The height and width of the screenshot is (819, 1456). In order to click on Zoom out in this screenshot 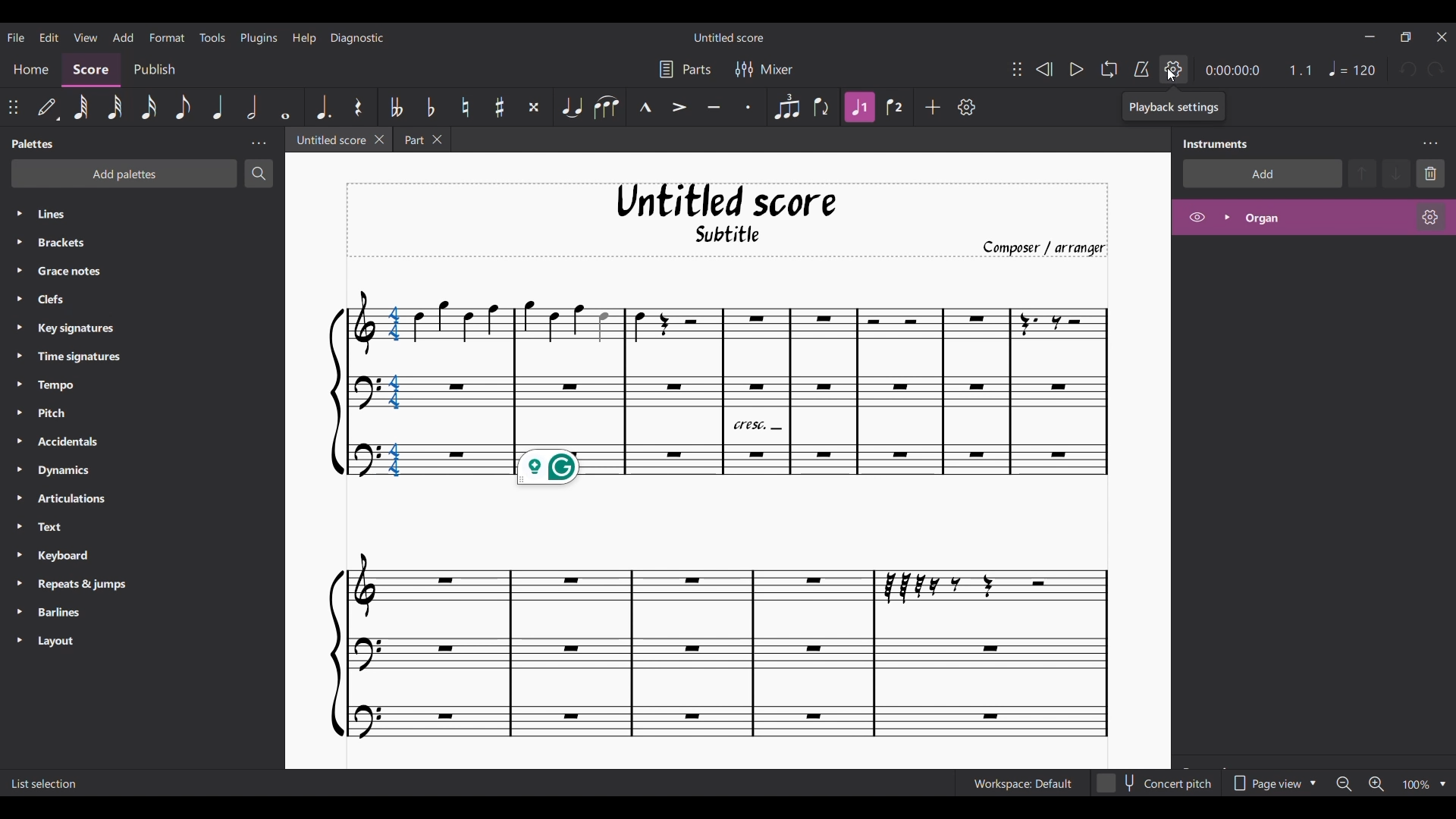, I will do `click(1345, 784)`.